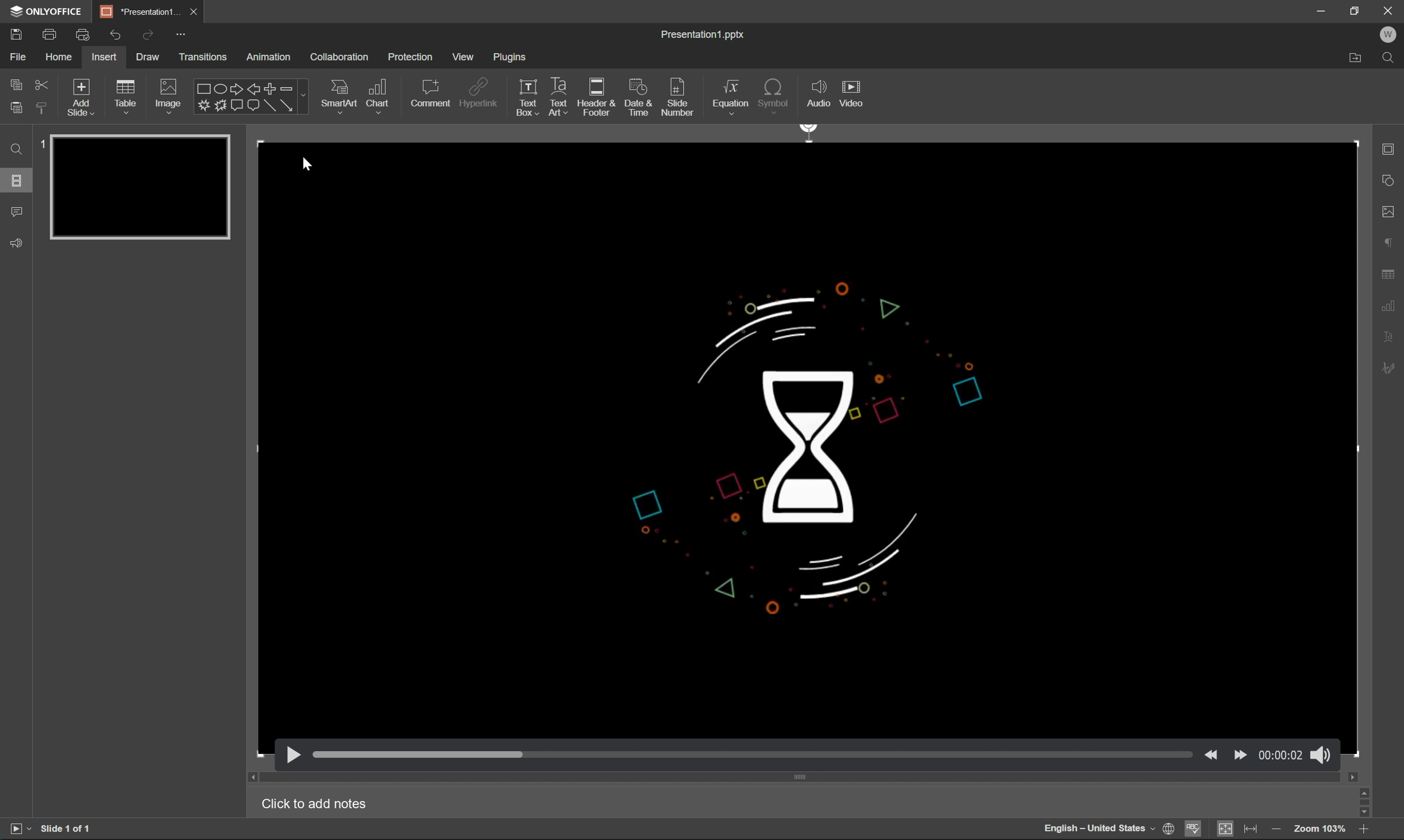 This screenshot has height=840, width=1404. I want to click on slide number, so click(681, 99).